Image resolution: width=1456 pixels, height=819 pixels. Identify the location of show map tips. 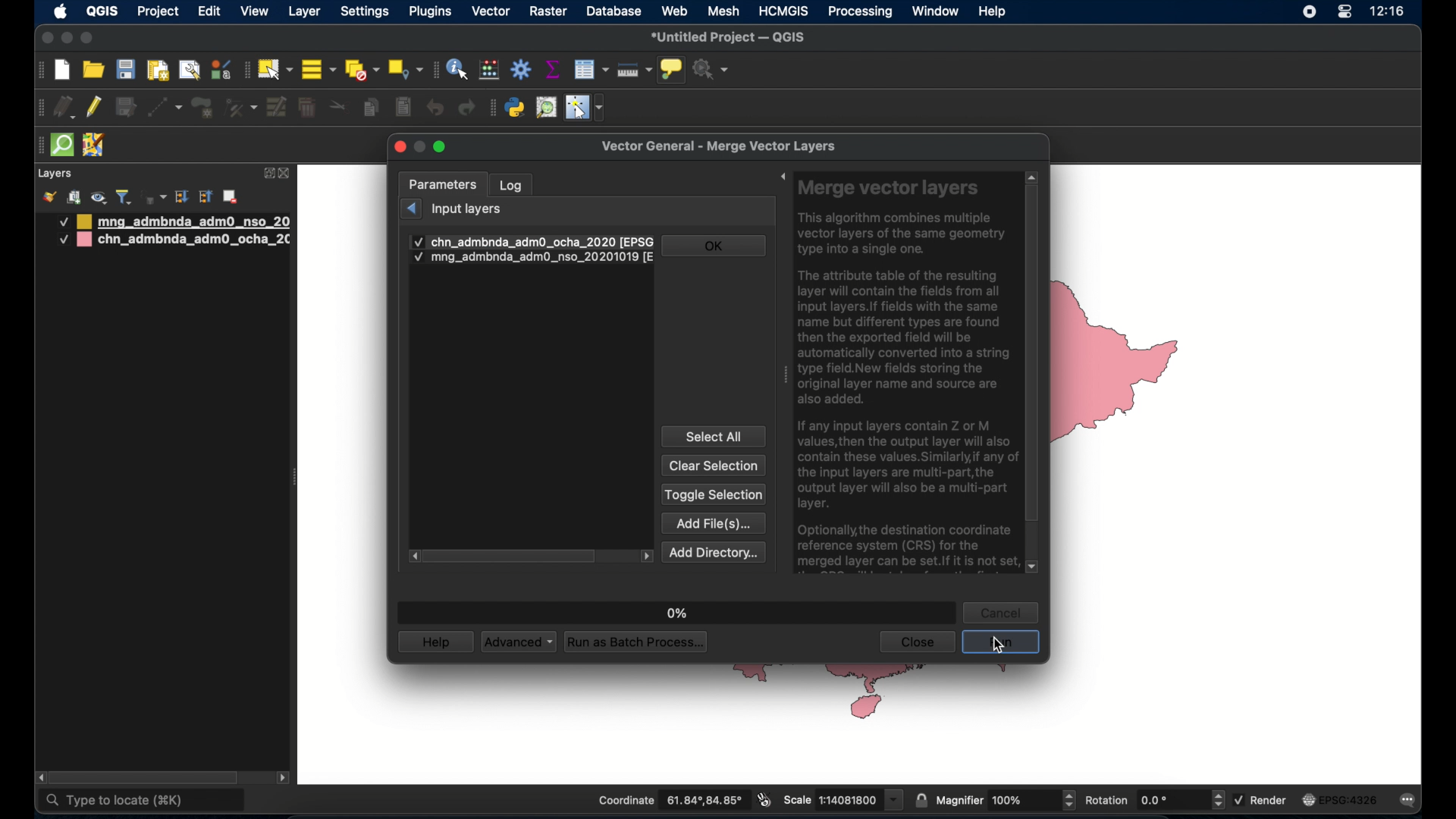
(670, 69).